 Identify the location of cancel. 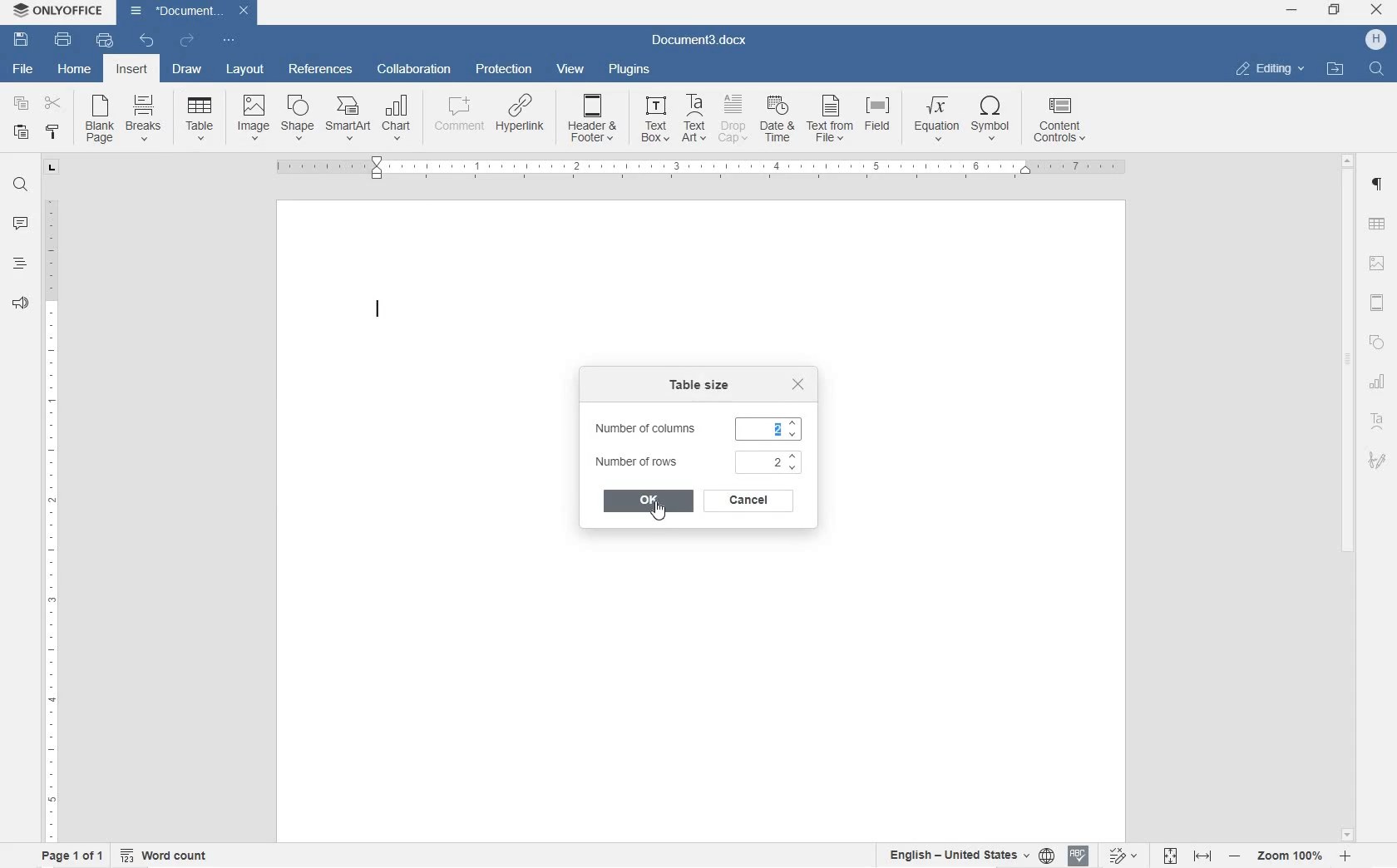
(745, 501).